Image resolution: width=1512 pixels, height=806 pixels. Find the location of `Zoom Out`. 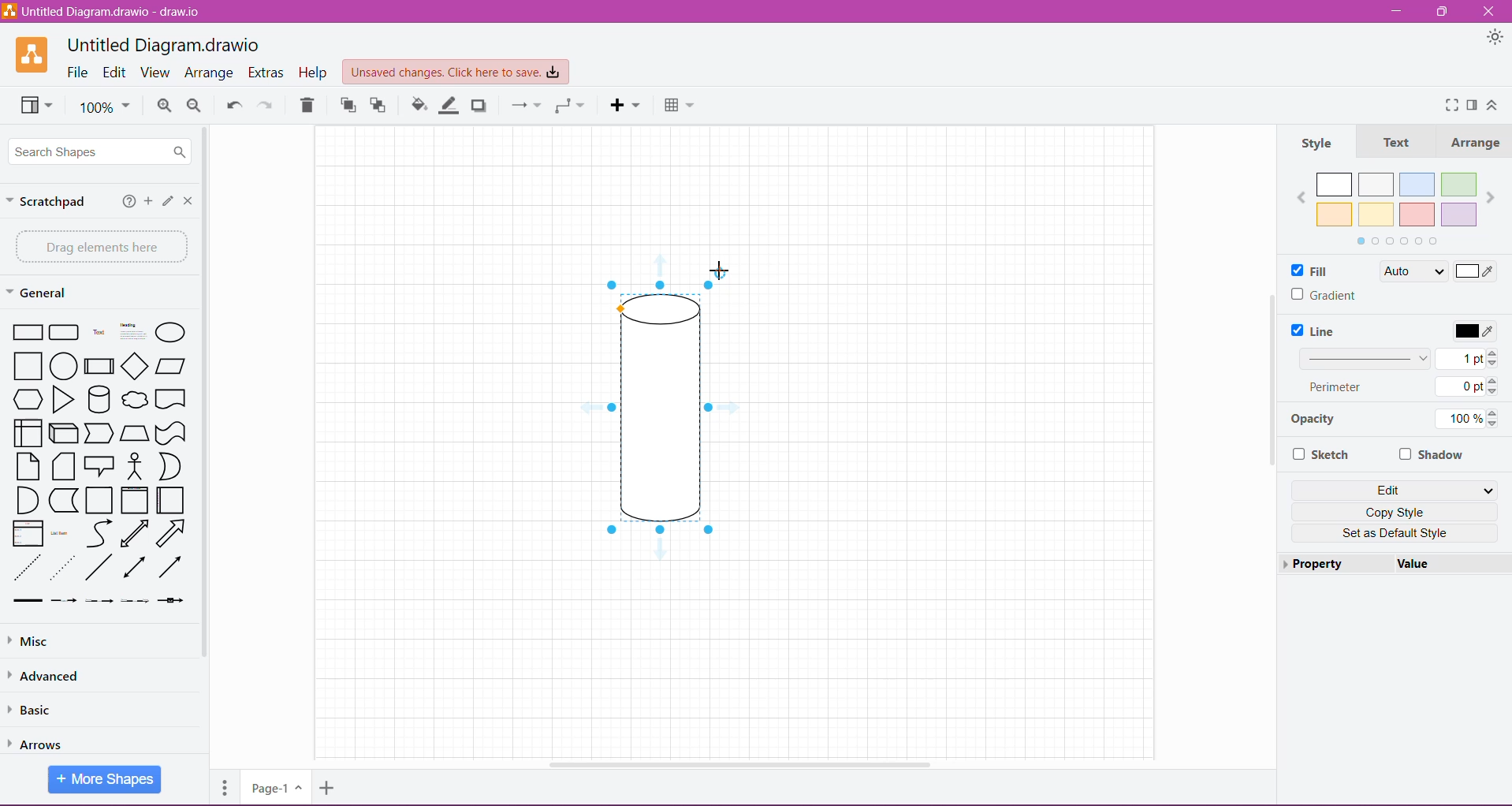

Zoom Out is located at coordinates (195, 106).